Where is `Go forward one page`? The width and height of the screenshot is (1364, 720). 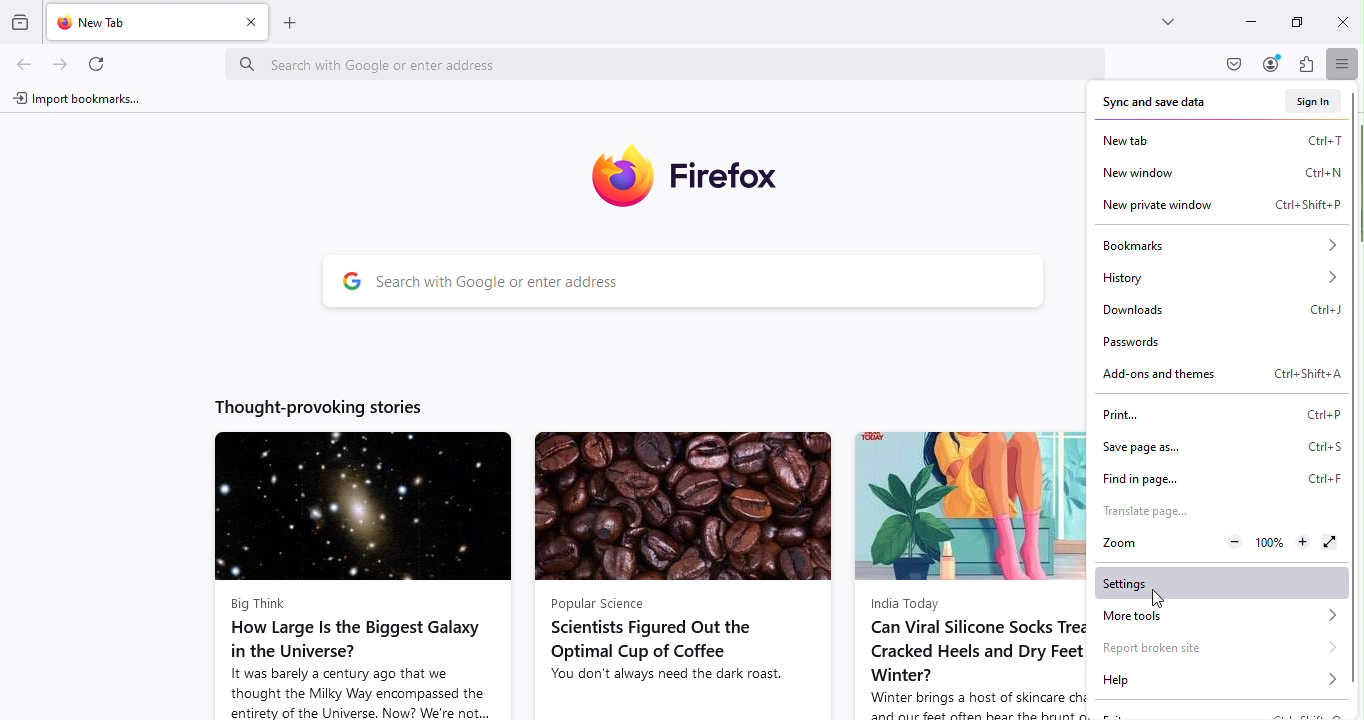 Go forward one page is located at coordinates (58, 63).